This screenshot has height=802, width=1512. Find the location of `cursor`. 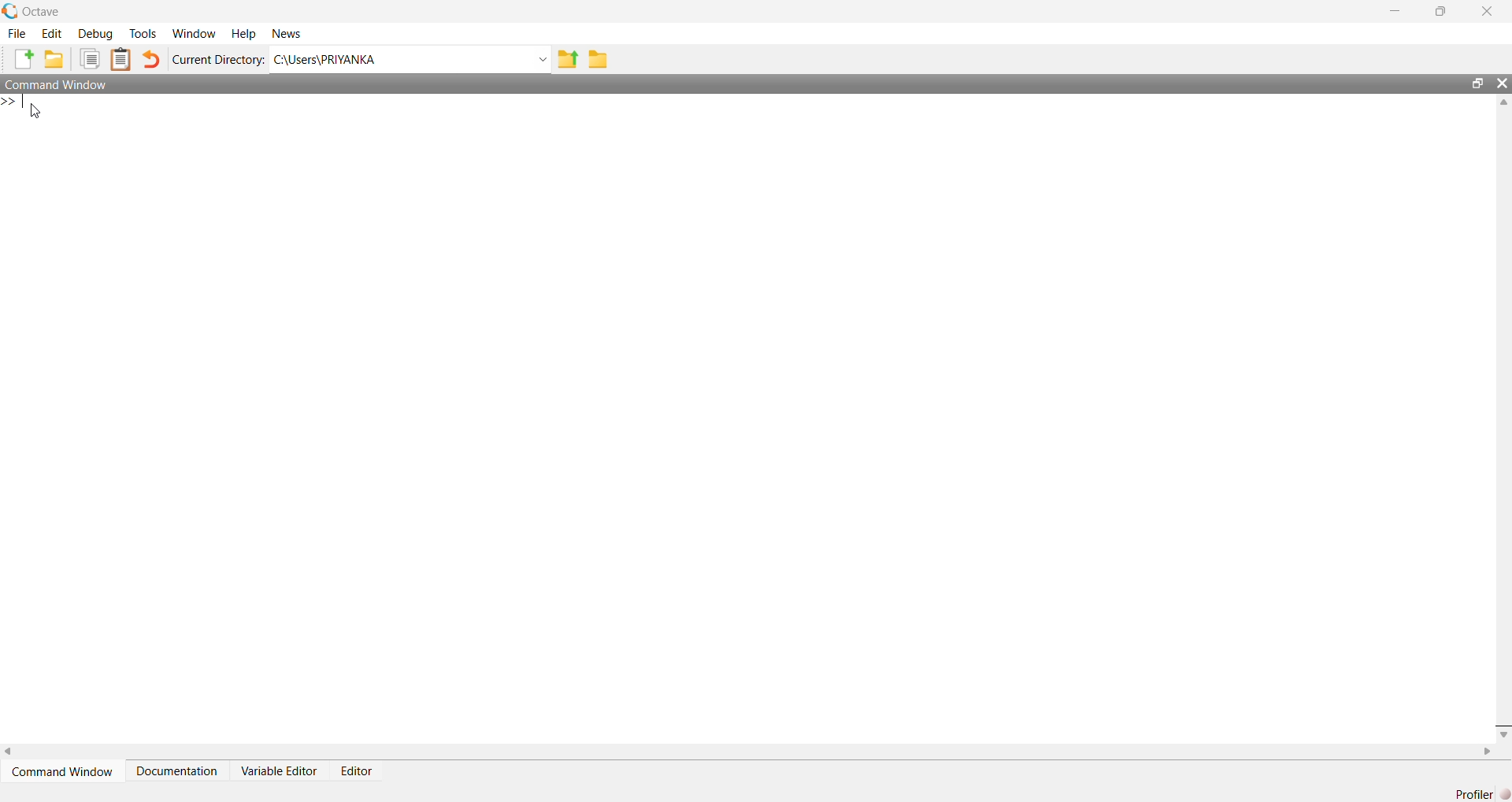

cursor is located at coordinates (36, 113).